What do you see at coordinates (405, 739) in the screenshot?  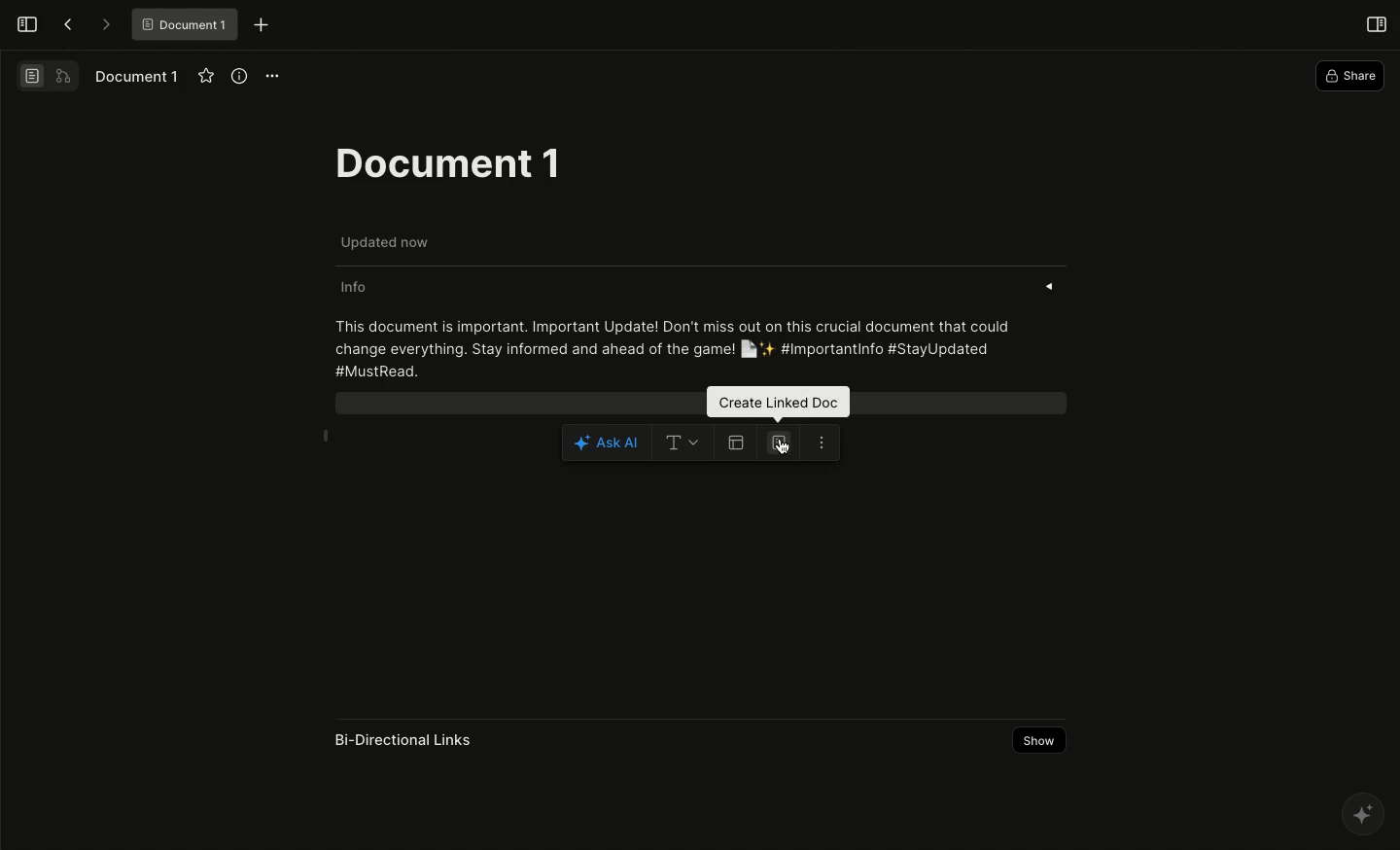 I see `Bi-Directional Links` at bounding box center [405, 739].